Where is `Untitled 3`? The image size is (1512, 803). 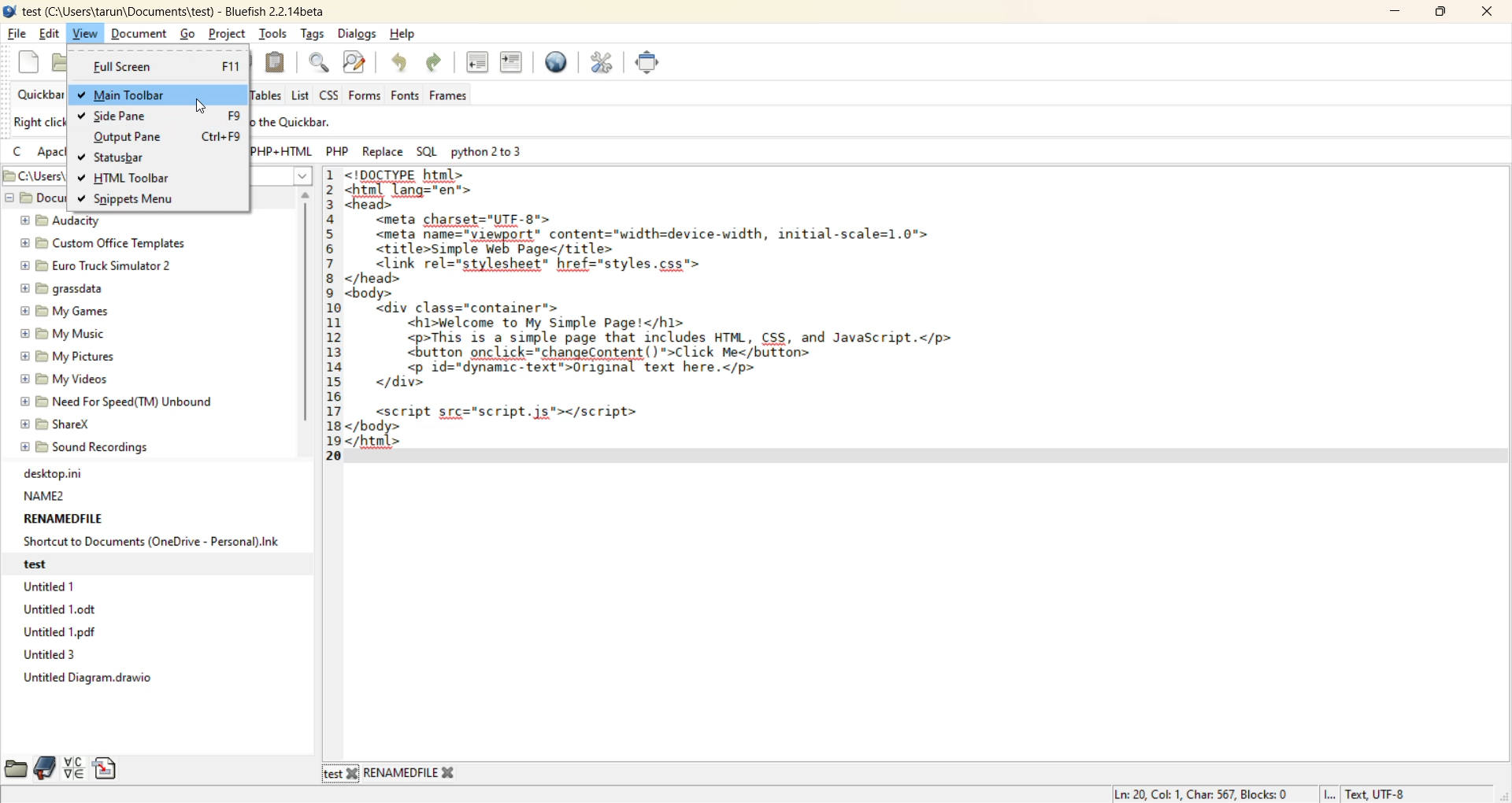 Untitled 3 is located at coordinates (47, 655).